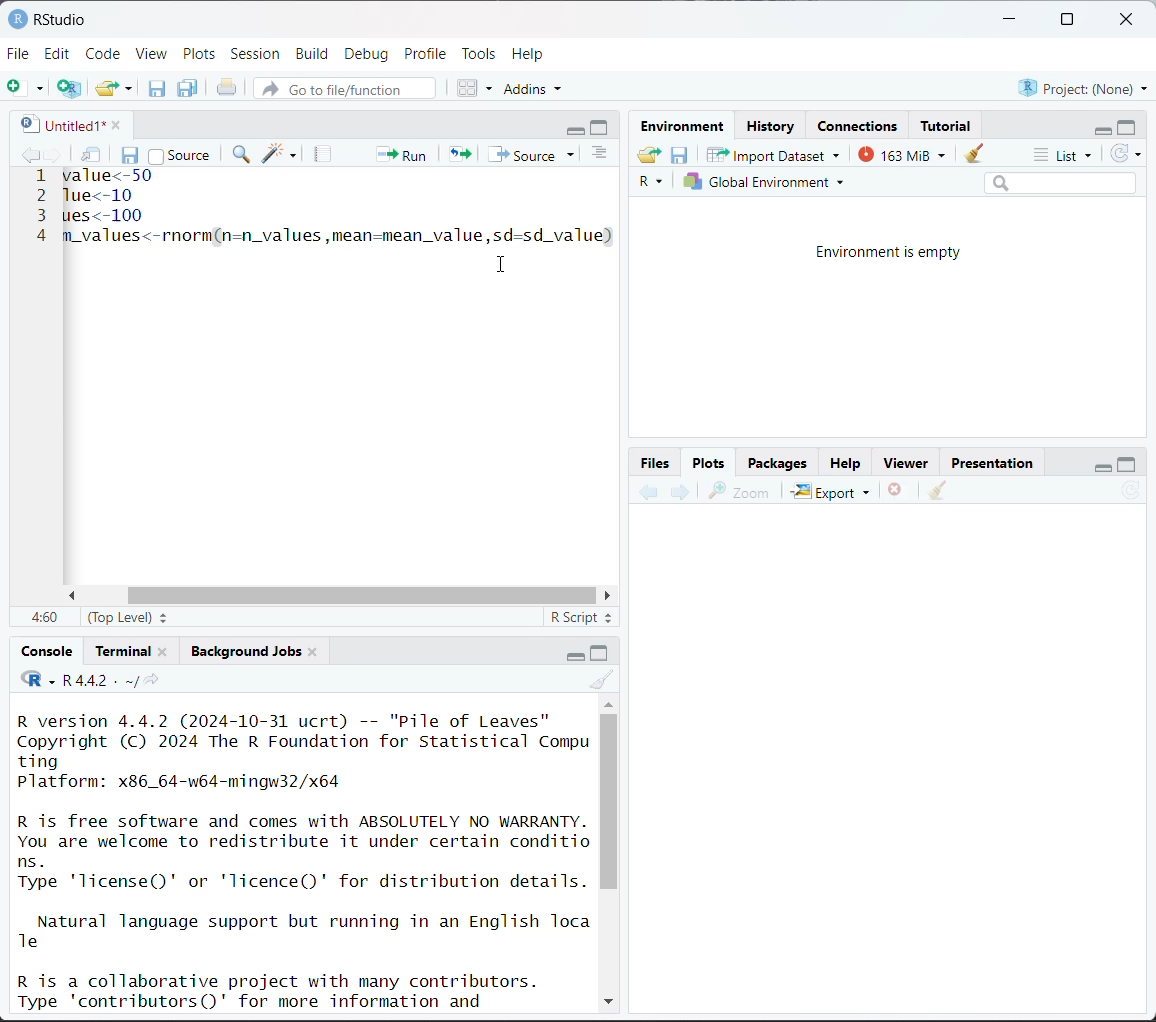  I want to click on close, so click(313, 650).